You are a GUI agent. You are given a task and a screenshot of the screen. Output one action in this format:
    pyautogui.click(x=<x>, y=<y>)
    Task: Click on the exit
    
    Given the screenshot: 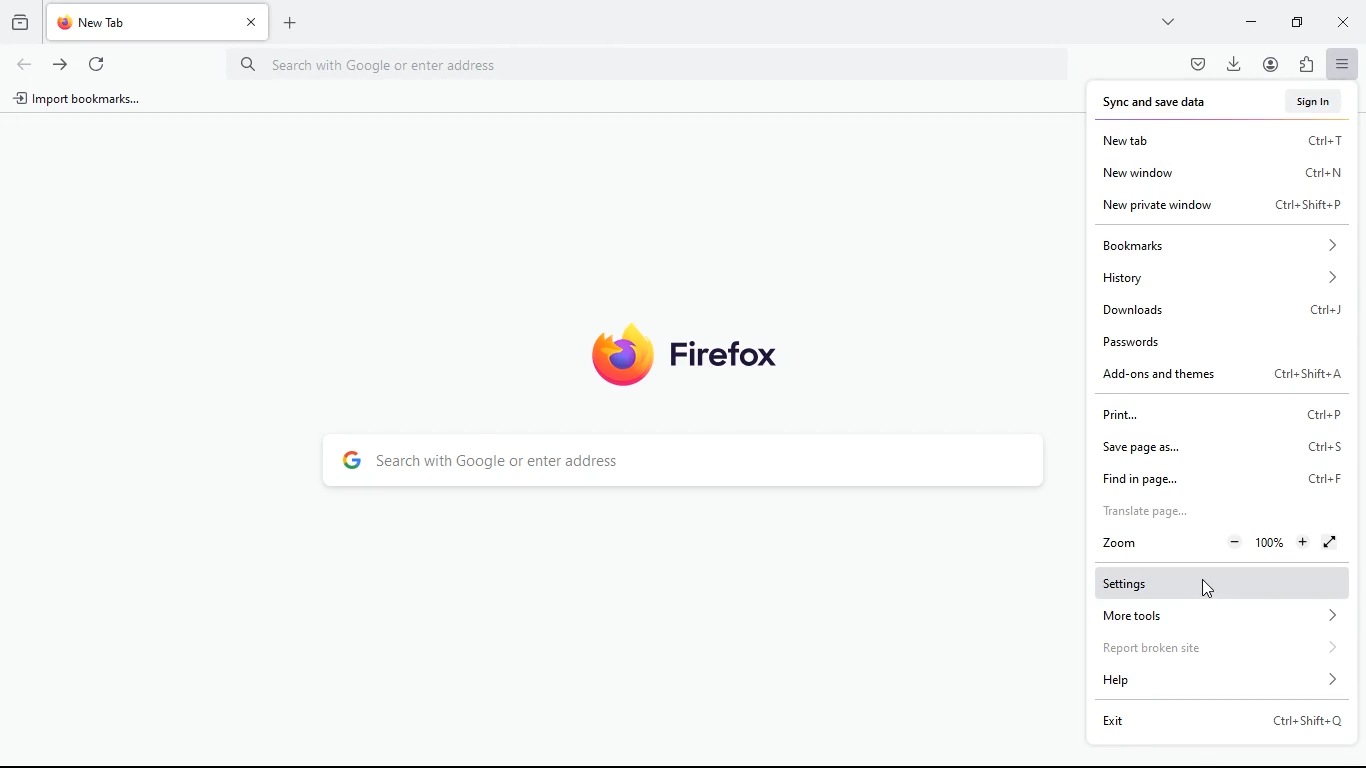 What is the action you would take?
    pyautogui.click(x=1217, y=722)
    